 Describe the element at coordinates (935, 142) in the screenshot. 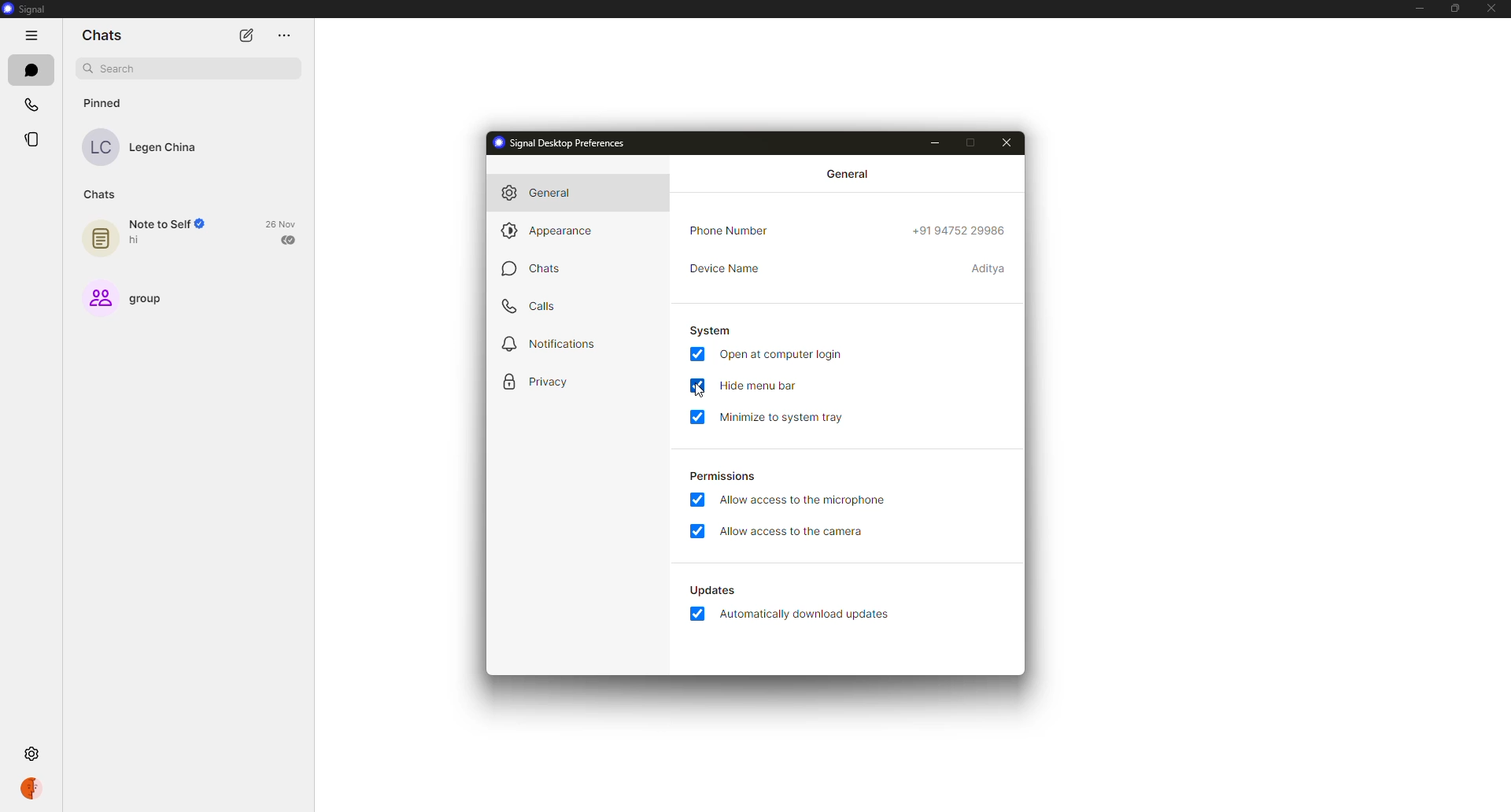

I see `minimize` at that location.